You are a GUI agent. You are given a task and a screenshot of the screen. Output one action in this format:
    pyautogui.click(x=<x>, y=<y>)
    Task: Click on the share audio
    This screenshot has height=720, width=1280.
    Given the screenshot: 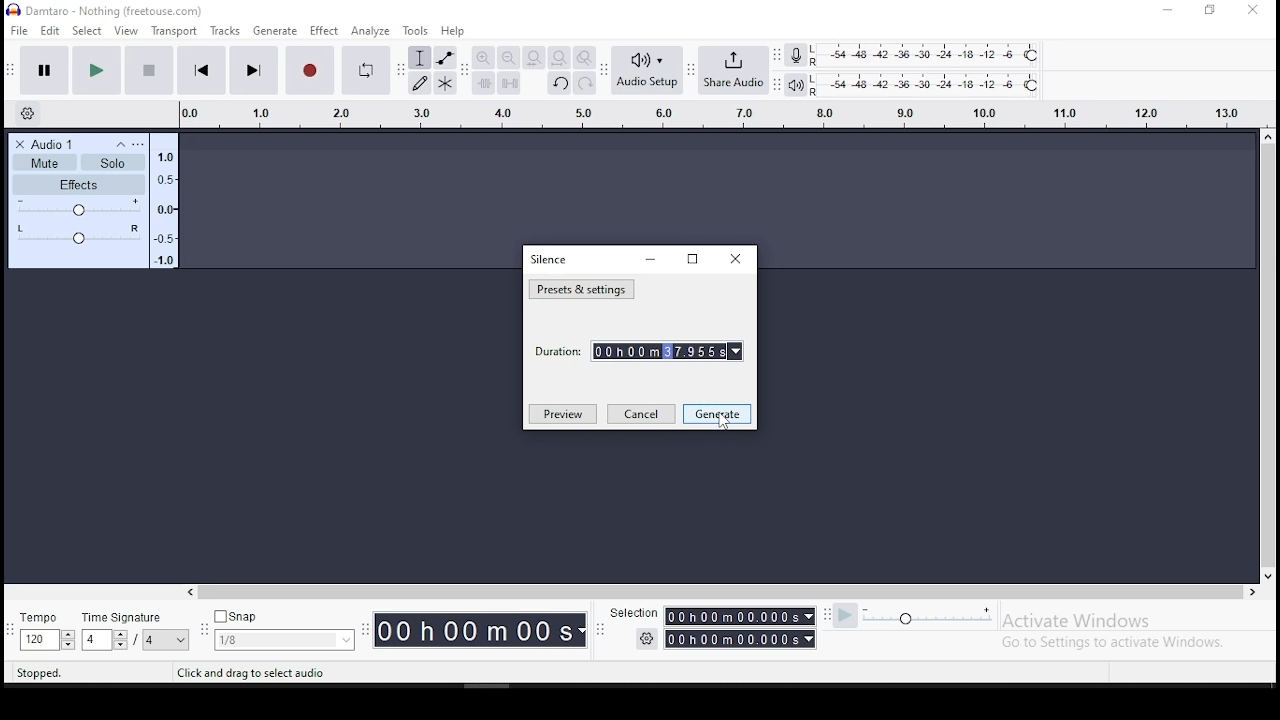 What is the action you would take?
    pyautogui.click(x=734, y=71)
    